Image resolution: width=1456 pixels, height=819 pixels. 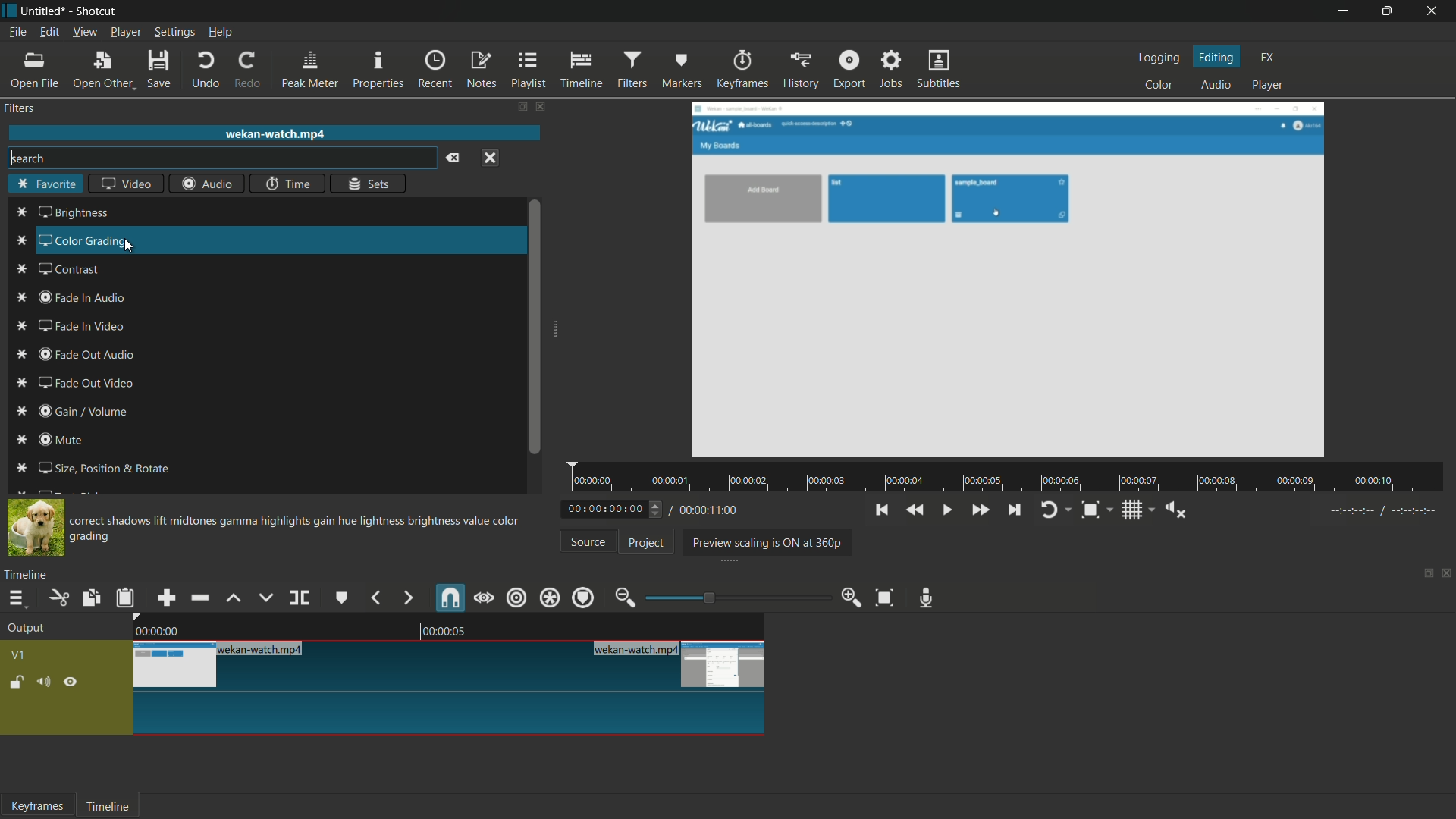 What do you see at coordinates (198, 598) in the screenshot?
I see `ripple delete` at bounding box center [198, 598].